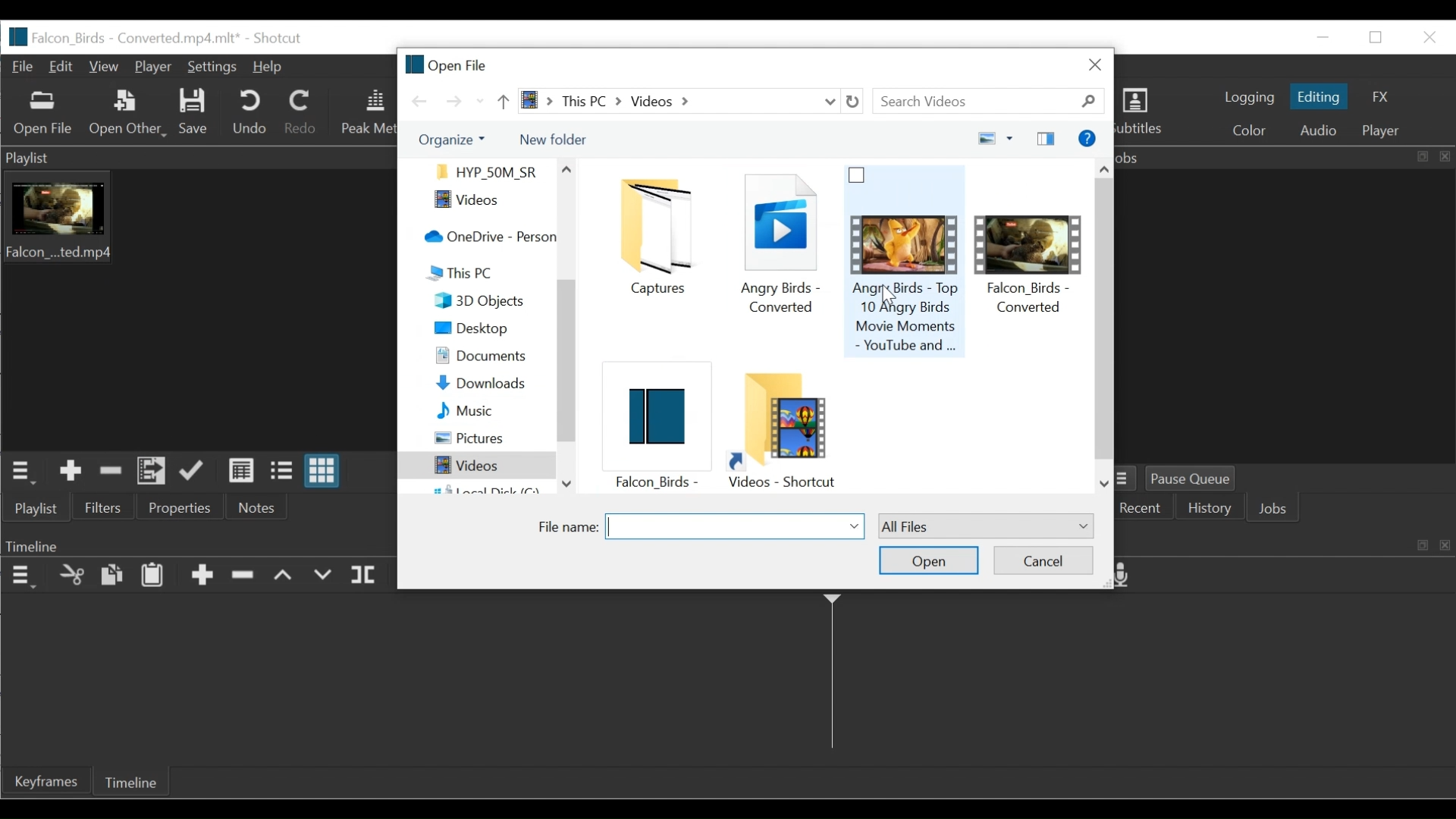  What do you see at coordinates (196, 545) in the screenshot?
I see `Timeline Panel` at bounding box center [196, 545].